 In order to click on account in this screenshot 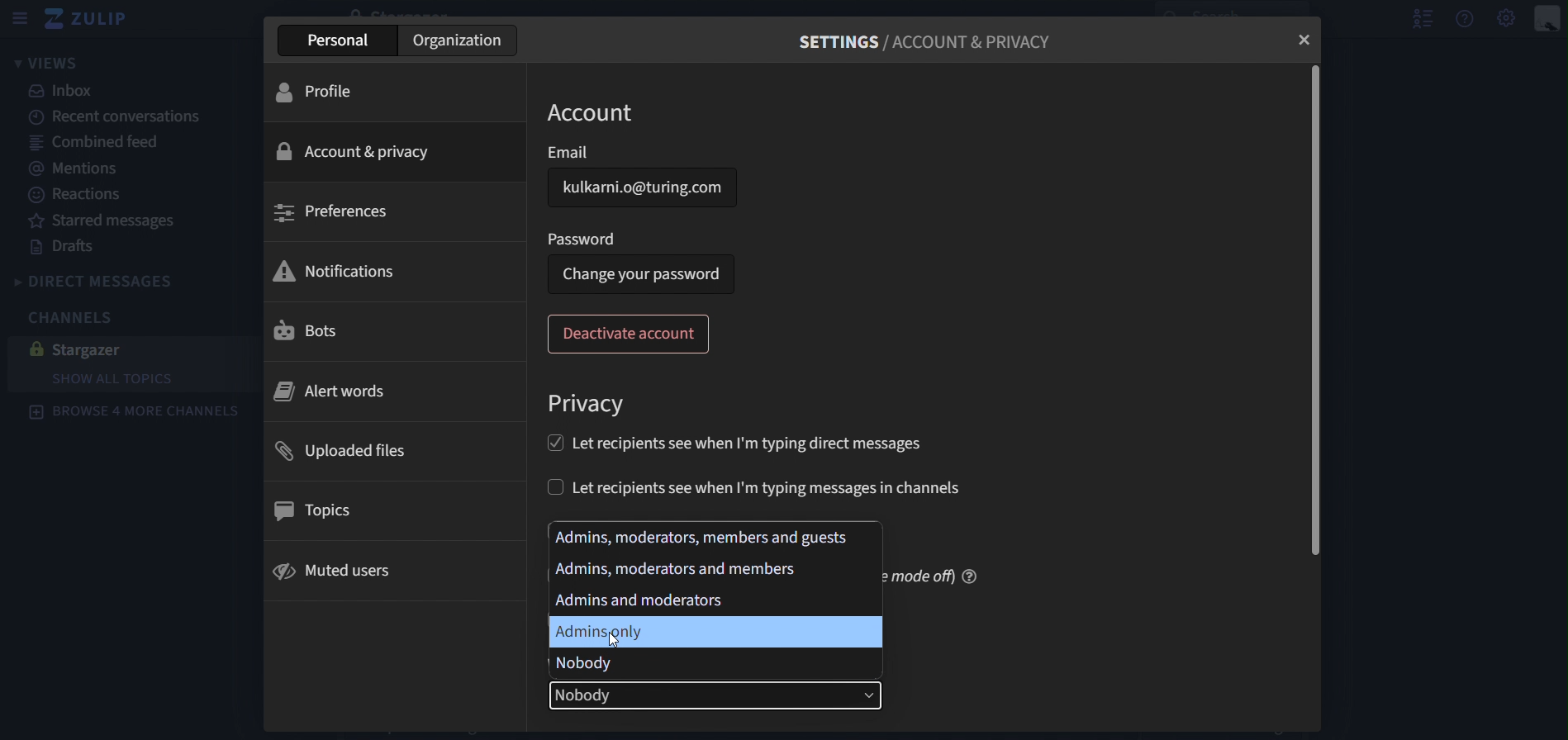, I will do `click(598, 112)`.